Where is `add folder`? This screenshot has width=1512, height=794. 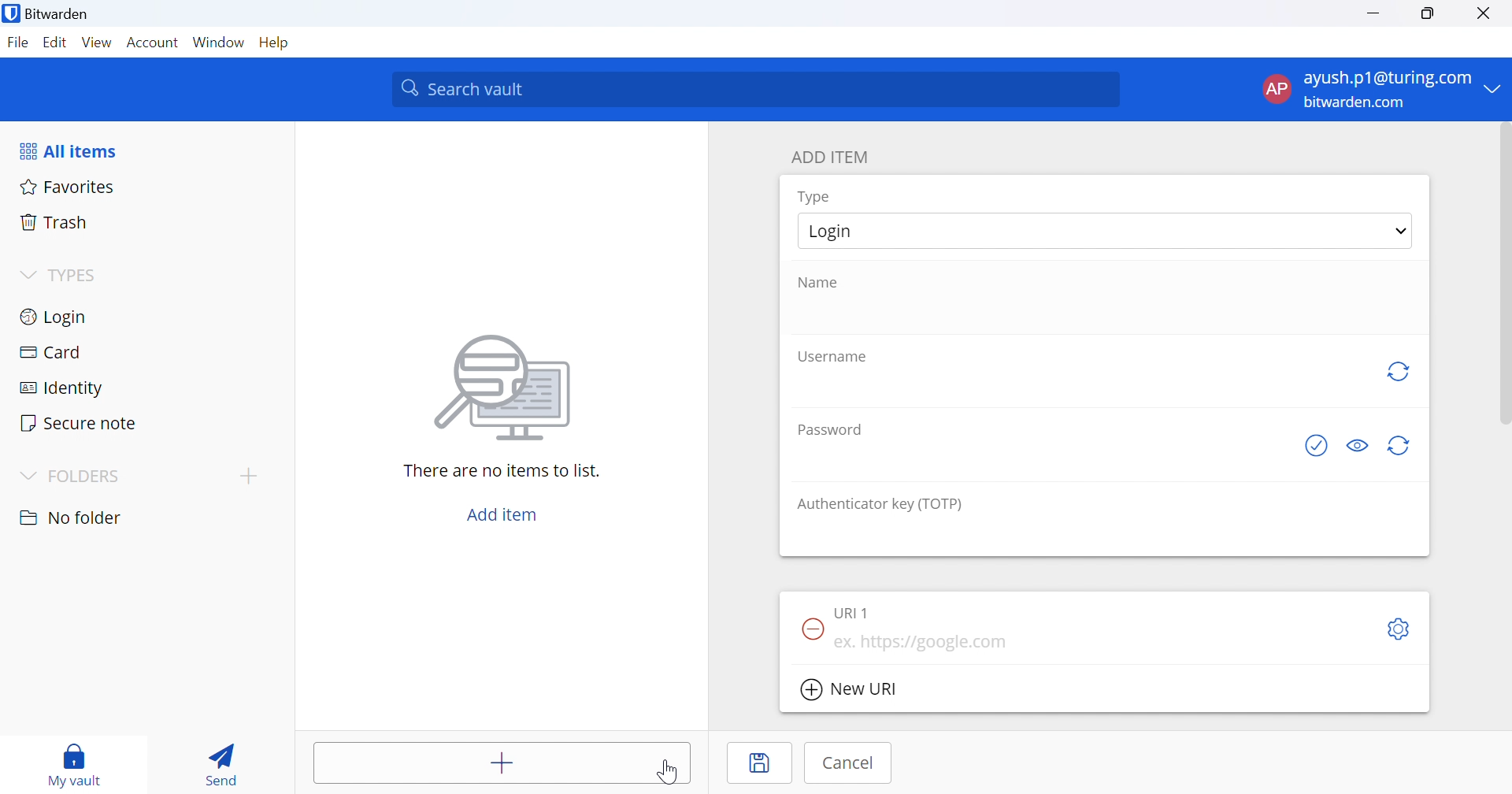 add folder is located at coordinates (252, 476).